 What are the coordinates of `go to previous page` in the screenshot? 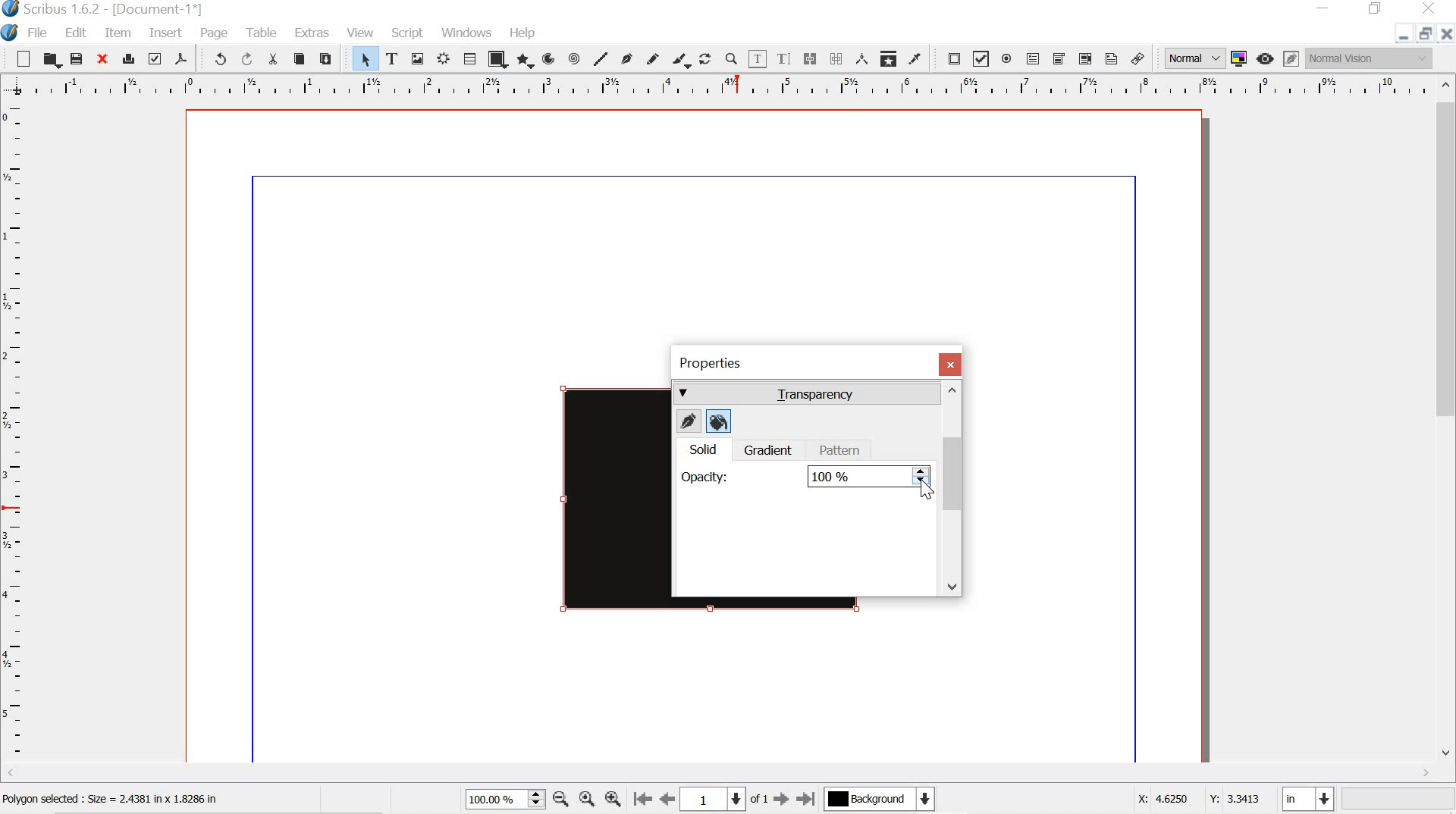 It's located at (666, 800).